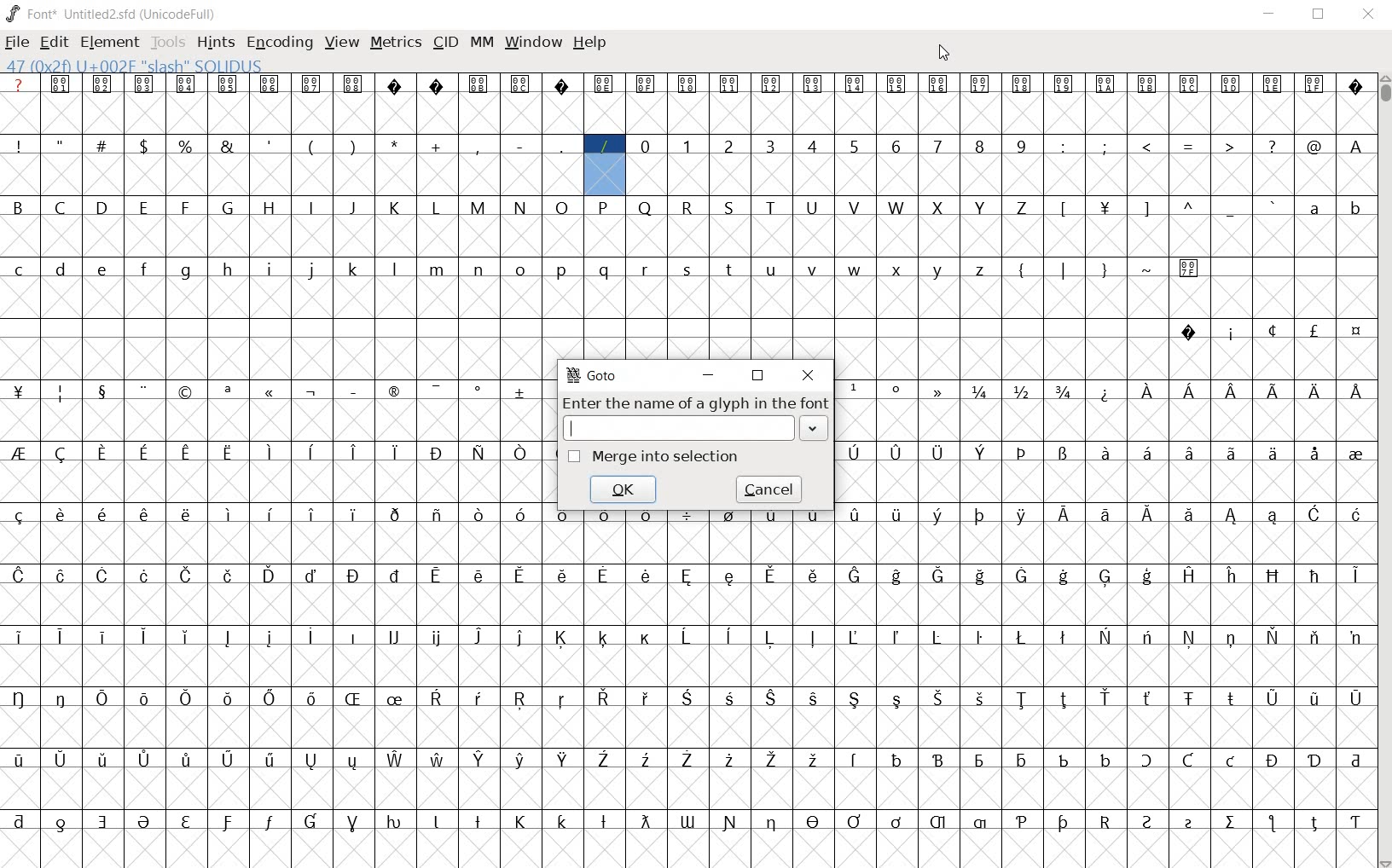 The width and height of the screenshot is (1392, 868). Describe the element at coordinates (271, 393) in the screenshot. I see `glyph` at that location.